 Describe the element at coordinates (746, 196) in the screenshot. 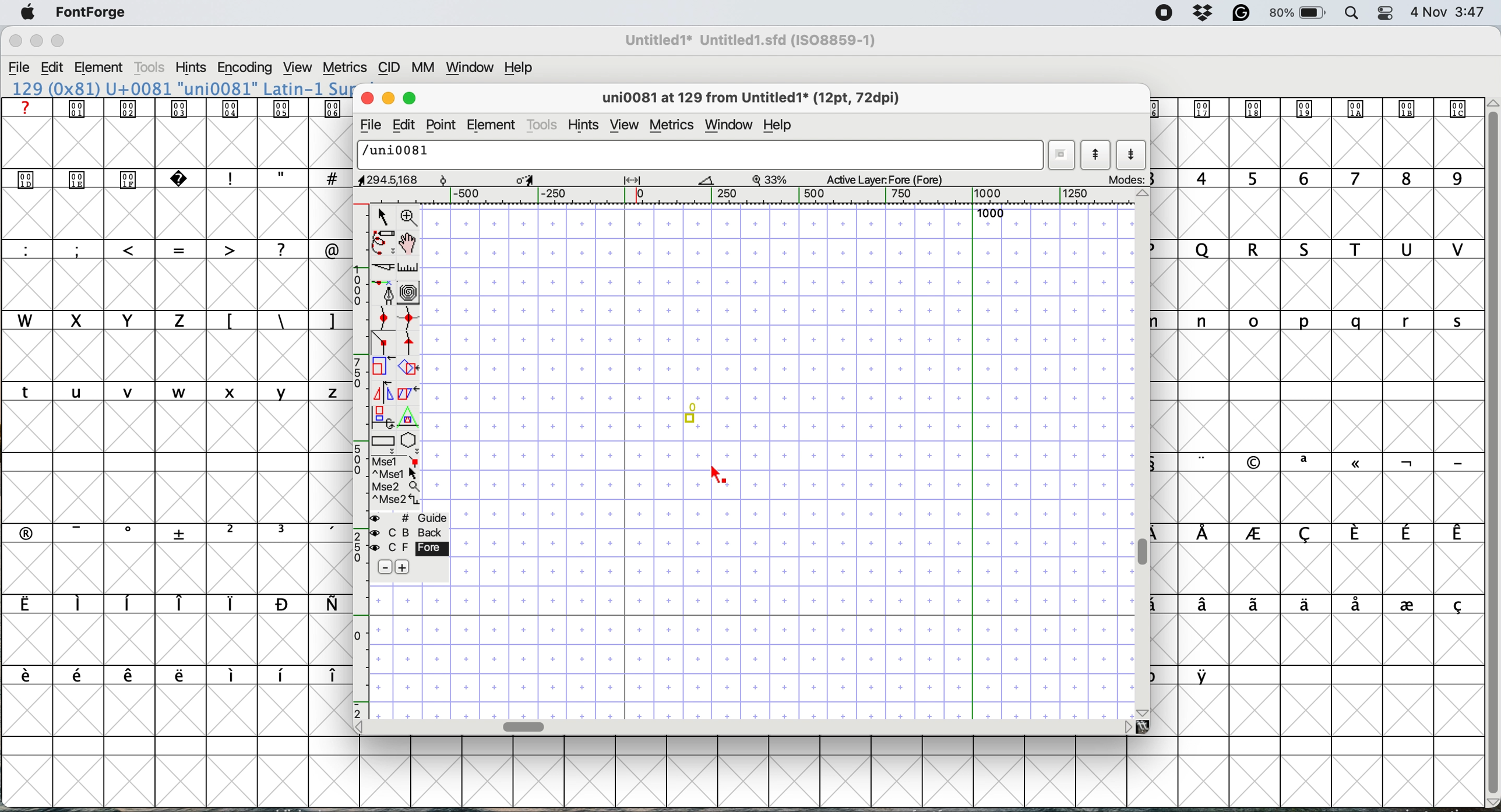

I see `Horizontal Scale` at that location.